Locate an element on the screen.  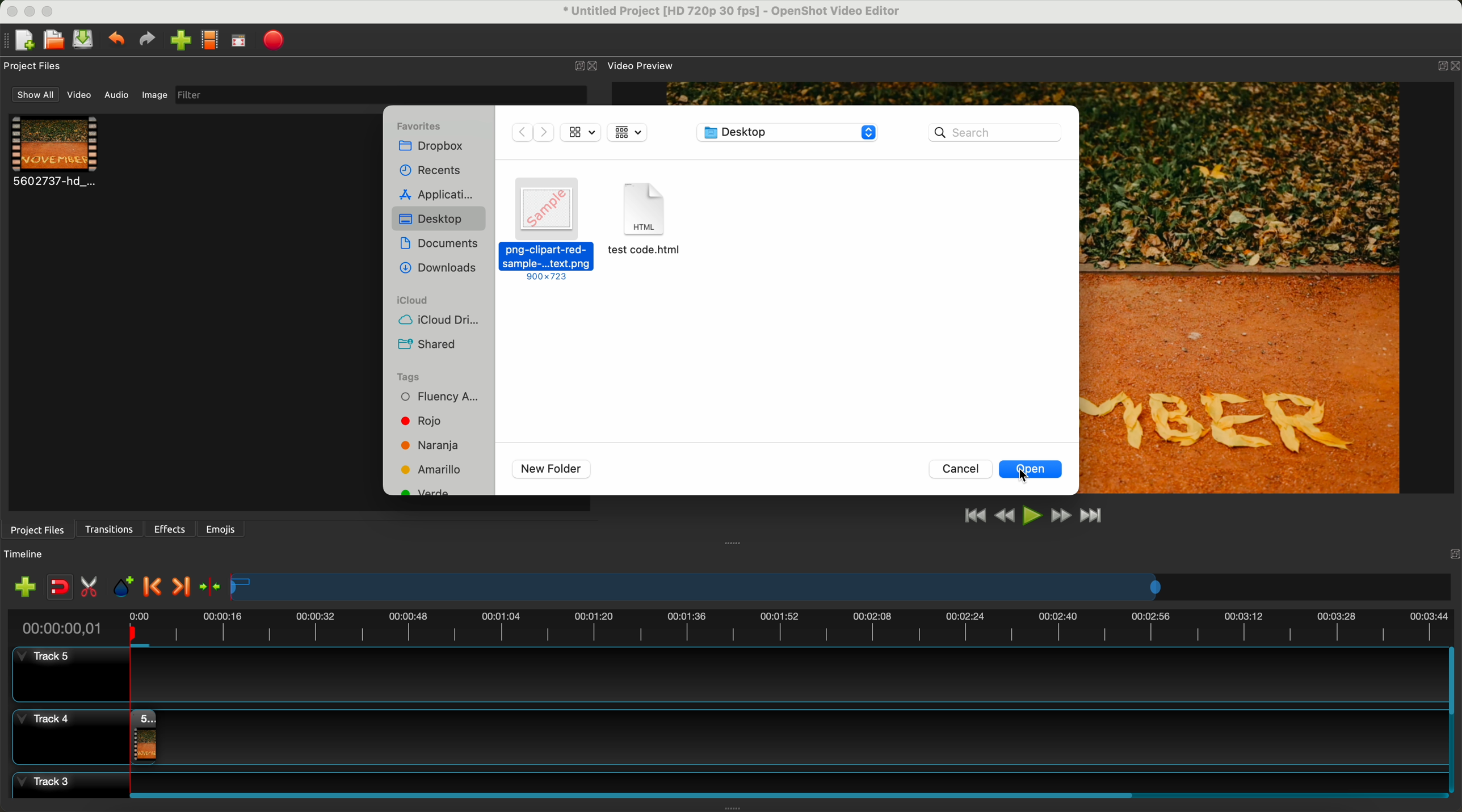
navigate arrows is located at coordinates (532, 132).